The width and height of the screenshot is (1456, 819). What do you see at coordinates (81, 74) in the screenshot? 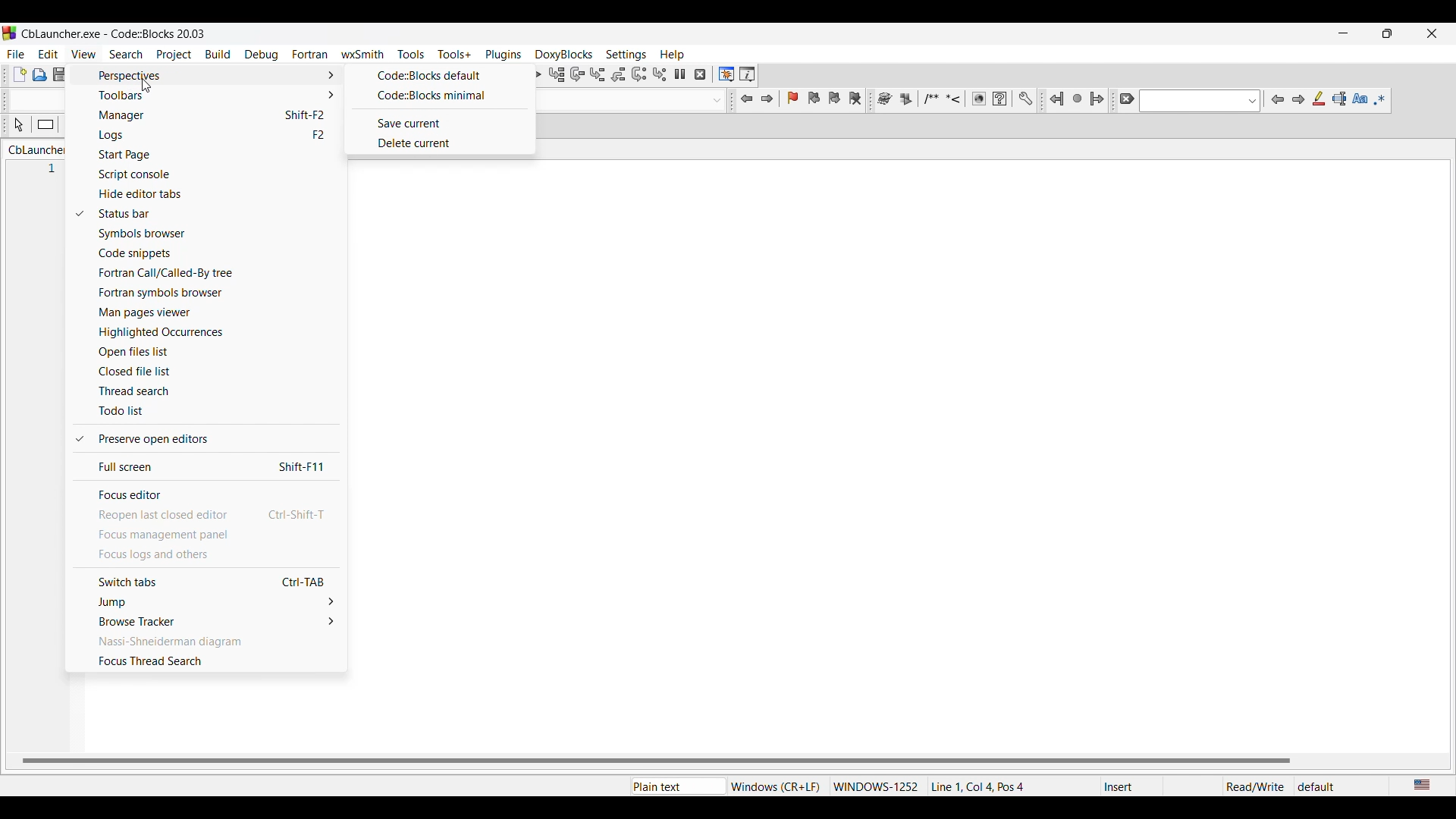
I see `Save everything` at bounding box center [81, 74].